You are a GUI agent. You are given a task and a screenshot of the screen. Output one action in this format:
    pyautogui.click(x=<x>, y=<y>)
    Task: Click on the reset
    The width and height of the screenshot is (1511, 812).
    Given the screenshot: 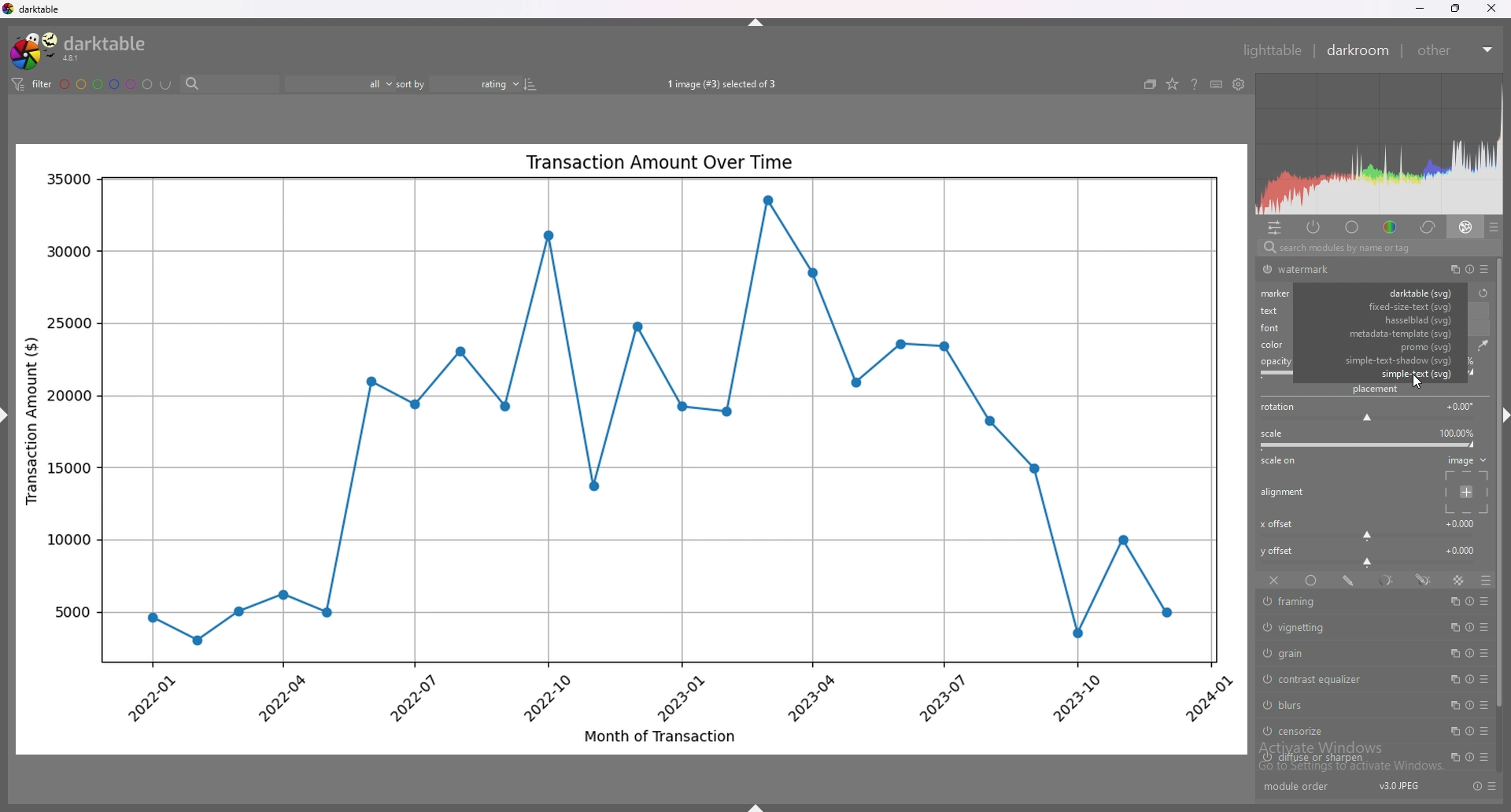 What is the action you would take?
    pyautogui.click(x=1467, y=680)
    